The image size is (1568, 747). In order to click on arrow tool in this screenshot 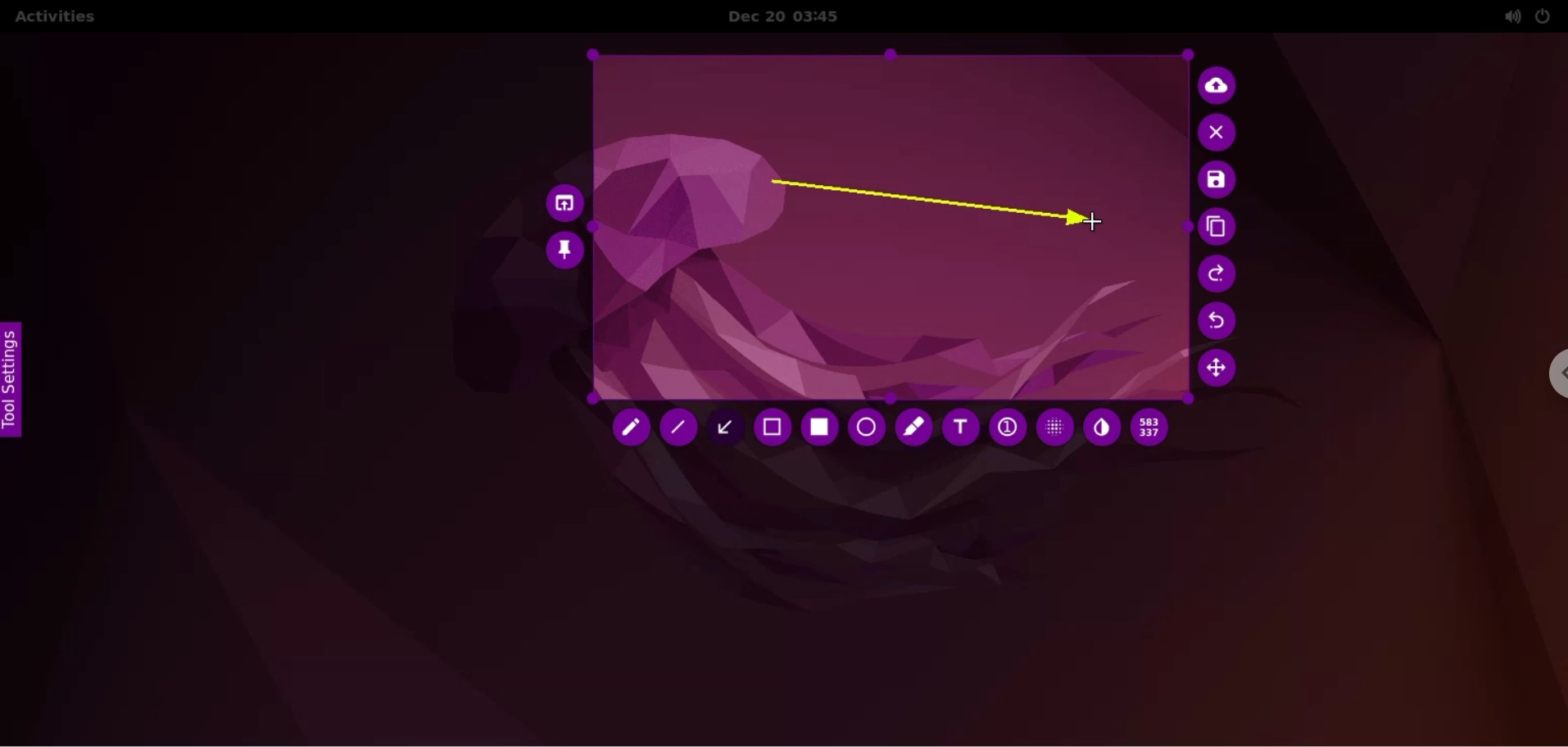, I will do `click(730, 426)`.